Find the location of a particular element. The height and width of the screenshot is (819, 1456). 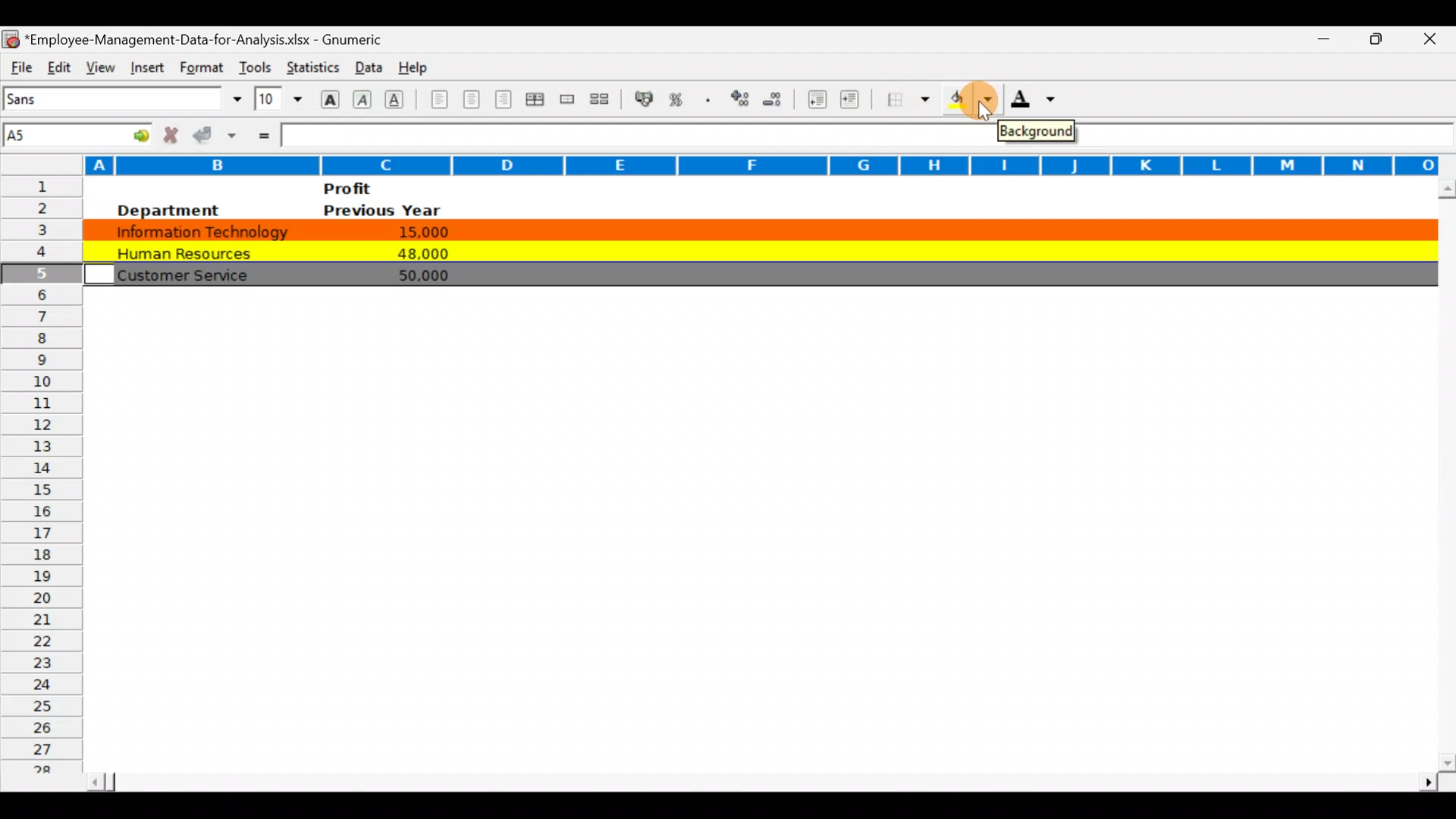

Merge a range of cells is located at coordinates (566, 101).